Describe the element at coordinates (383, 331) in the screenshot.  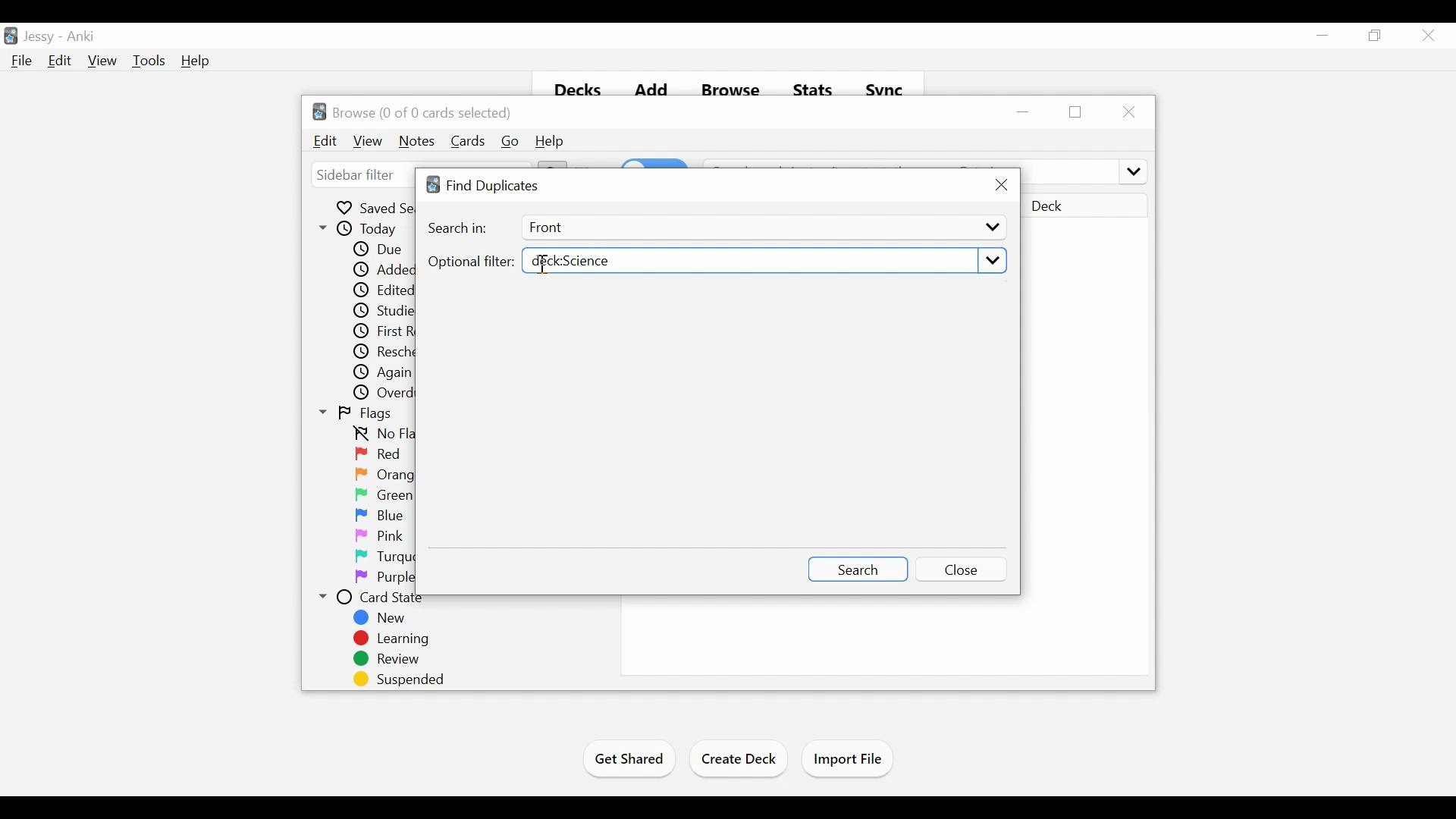
I see `First Review` at that location.